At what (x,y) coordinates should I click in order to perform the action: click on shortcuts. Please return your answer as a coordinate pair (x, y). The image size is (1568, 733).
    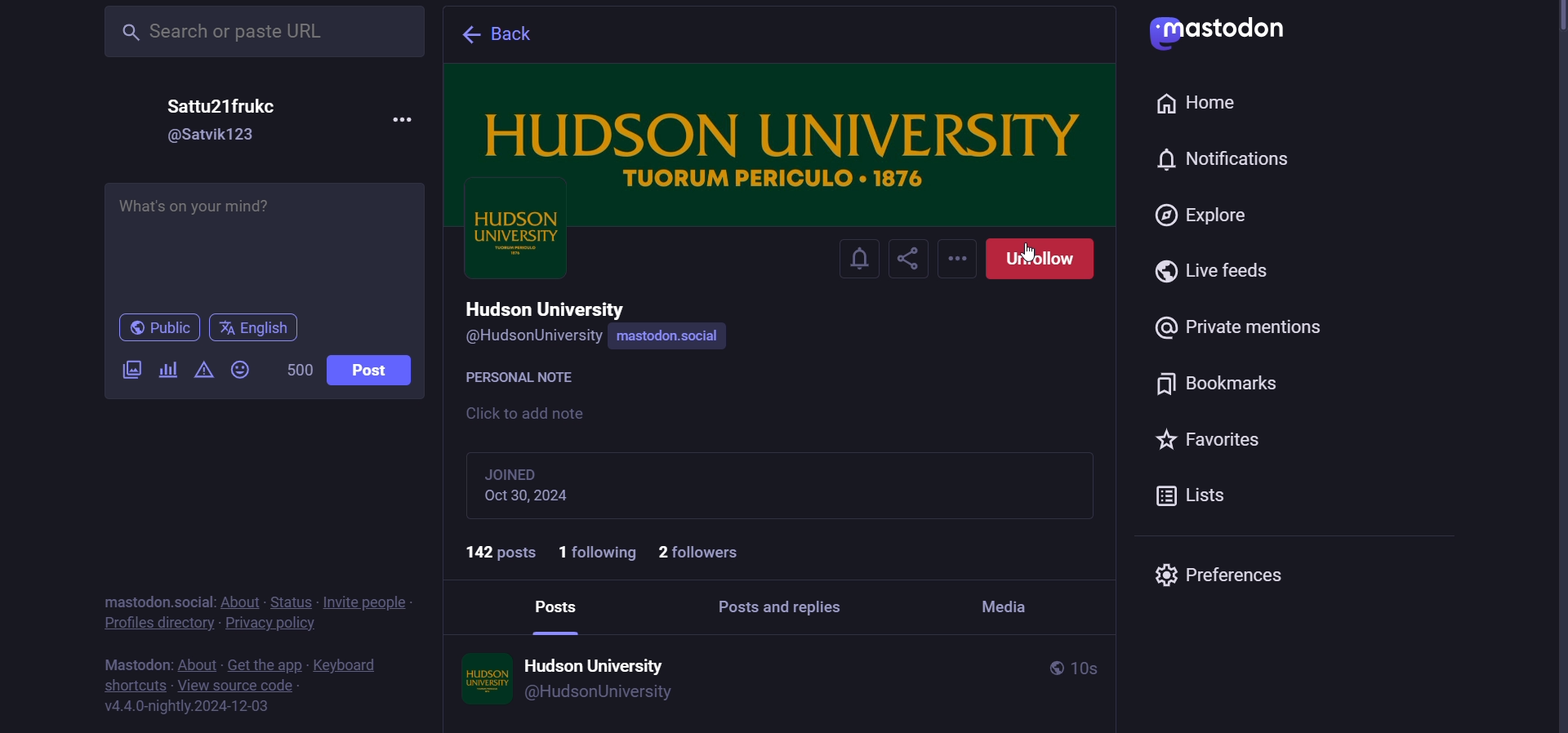
    Looking at the image, I should click on (134, 684).